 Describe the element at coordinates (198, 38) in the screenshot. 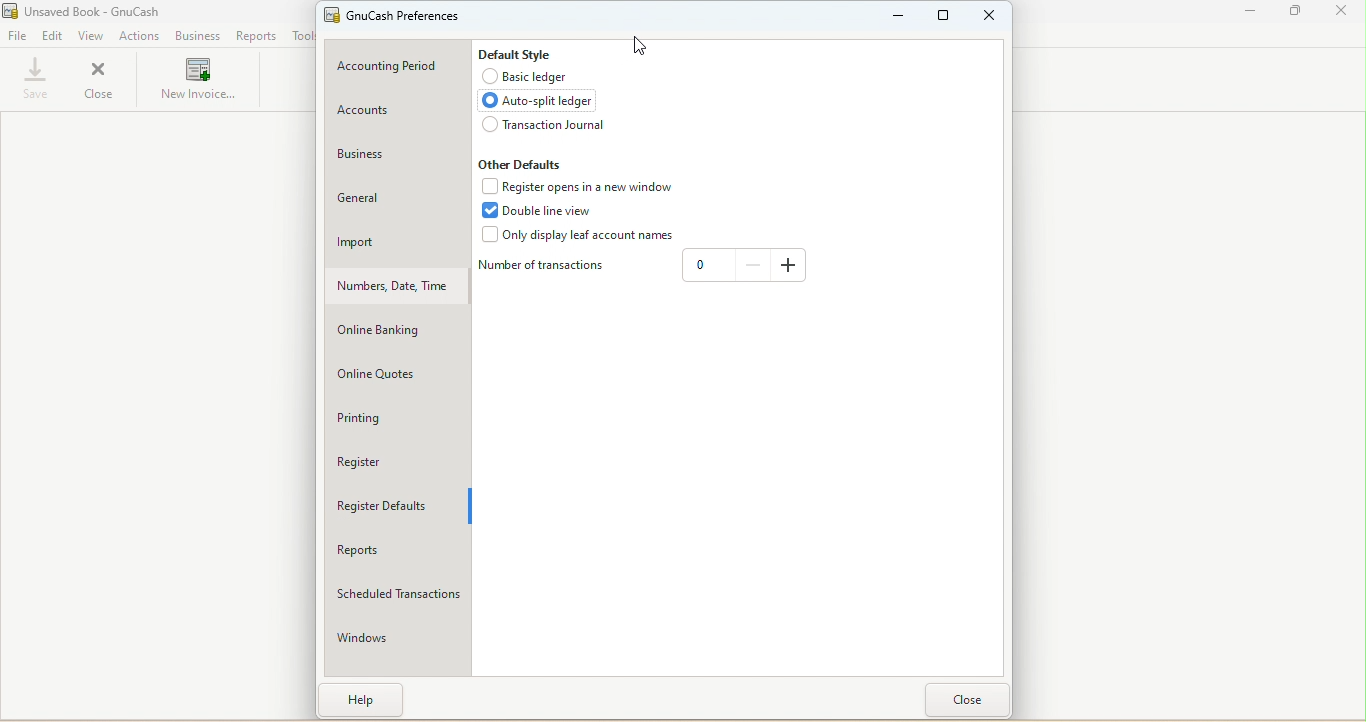

I see `Business` at that location.